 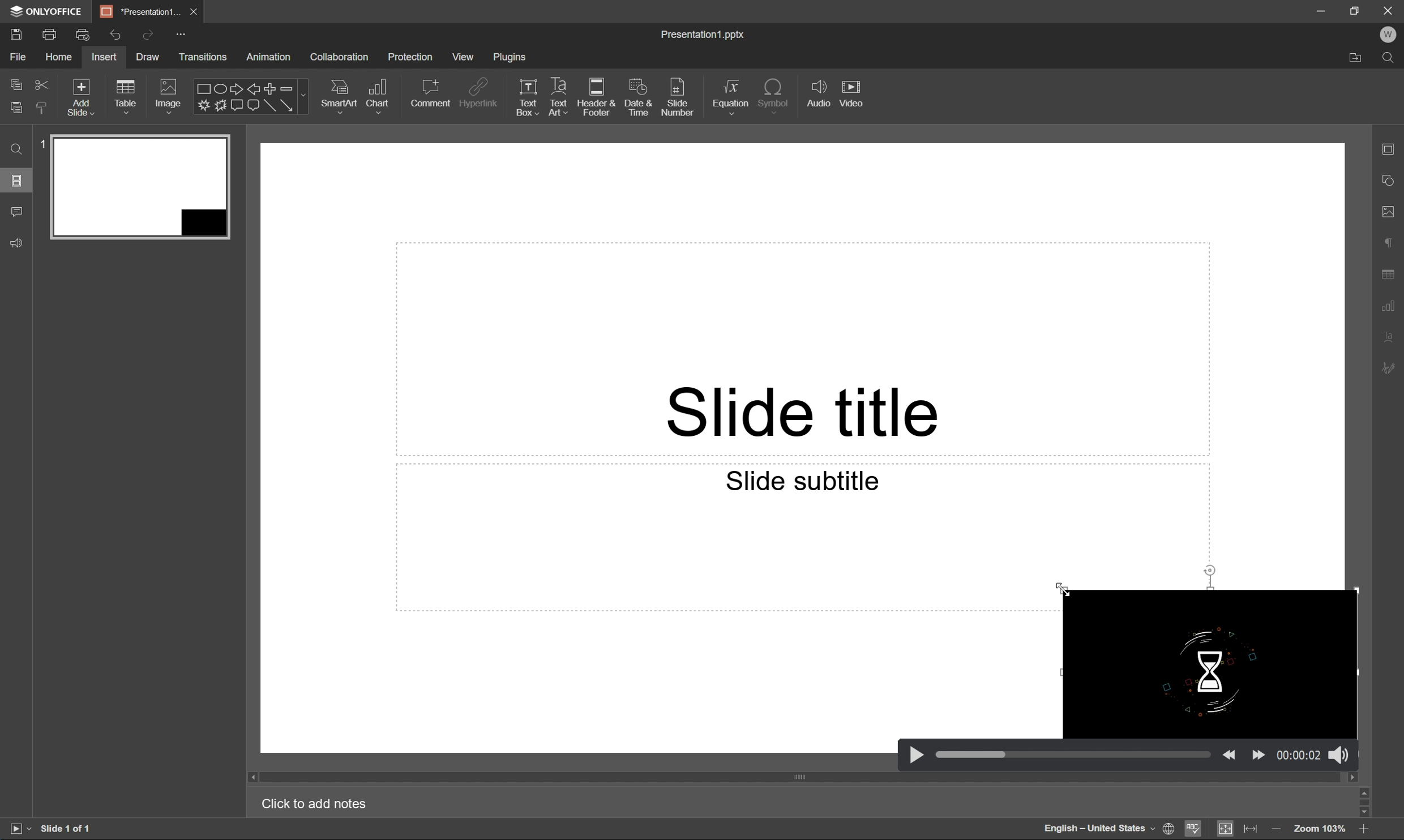 What do you see at coordinates (1230, 753) in the screenshot?
I see `back` at bounding box center [1230, 753].